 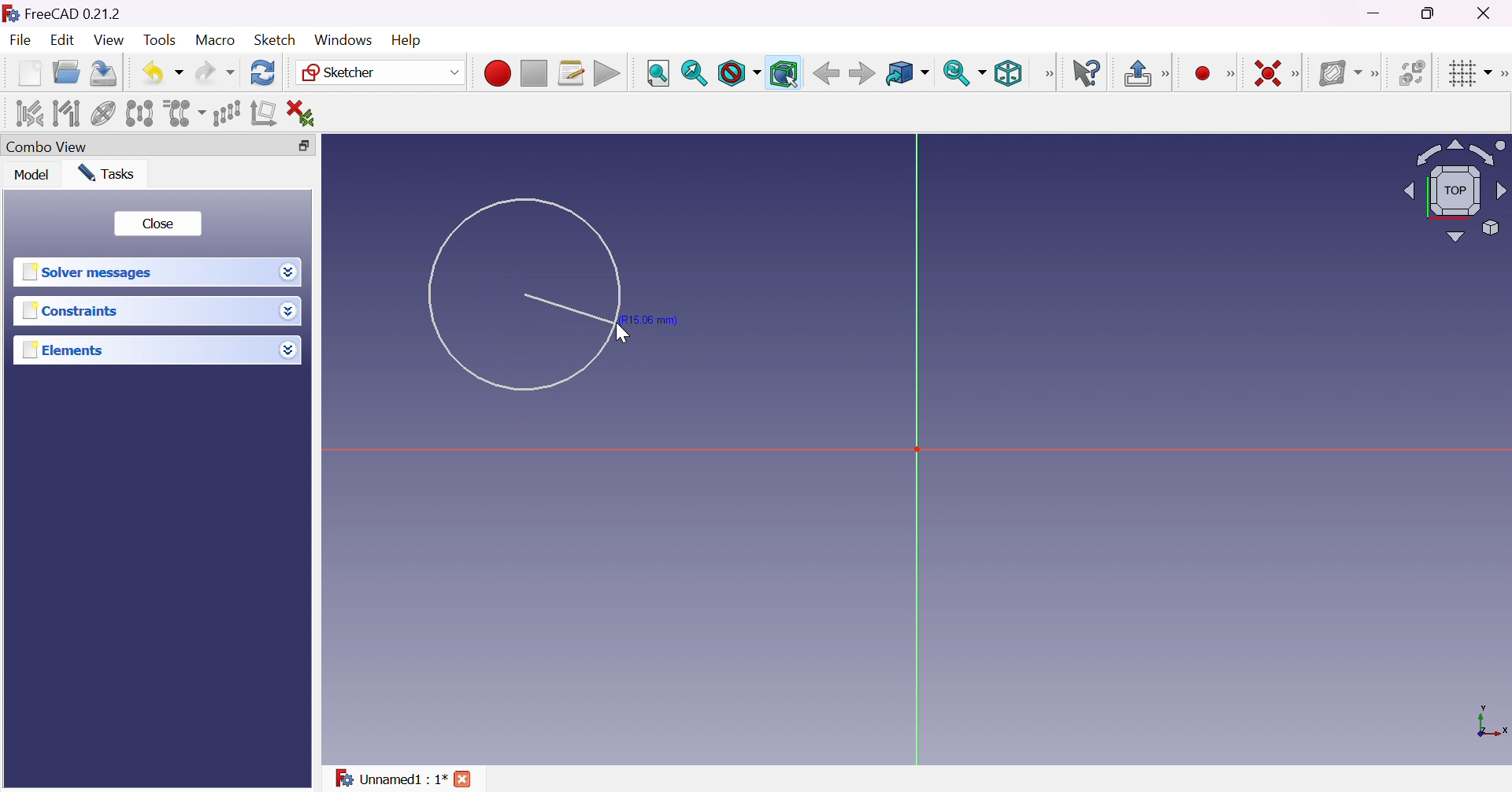 What do you see at coordinates (216, 39) in the screenshot?
I see `Macro` at bounding box center [216, 39].